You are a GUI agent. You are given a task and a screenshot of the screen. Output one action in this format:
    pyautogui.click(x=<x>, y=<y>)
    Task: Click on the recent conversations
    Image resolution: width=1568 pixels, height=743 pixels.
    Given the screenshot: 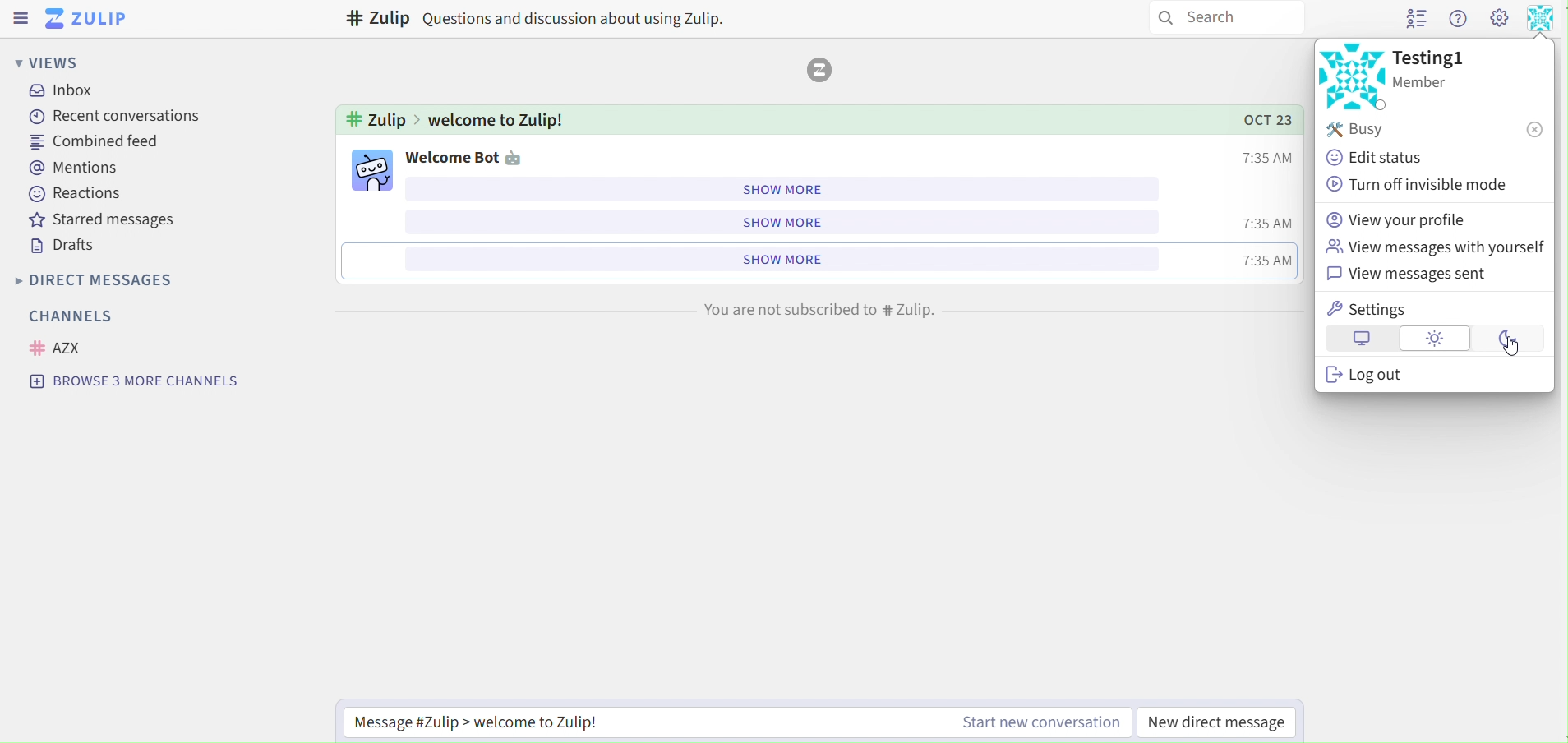 What is the action you would take?
    pyautogui.click(x=109, y=116)
    